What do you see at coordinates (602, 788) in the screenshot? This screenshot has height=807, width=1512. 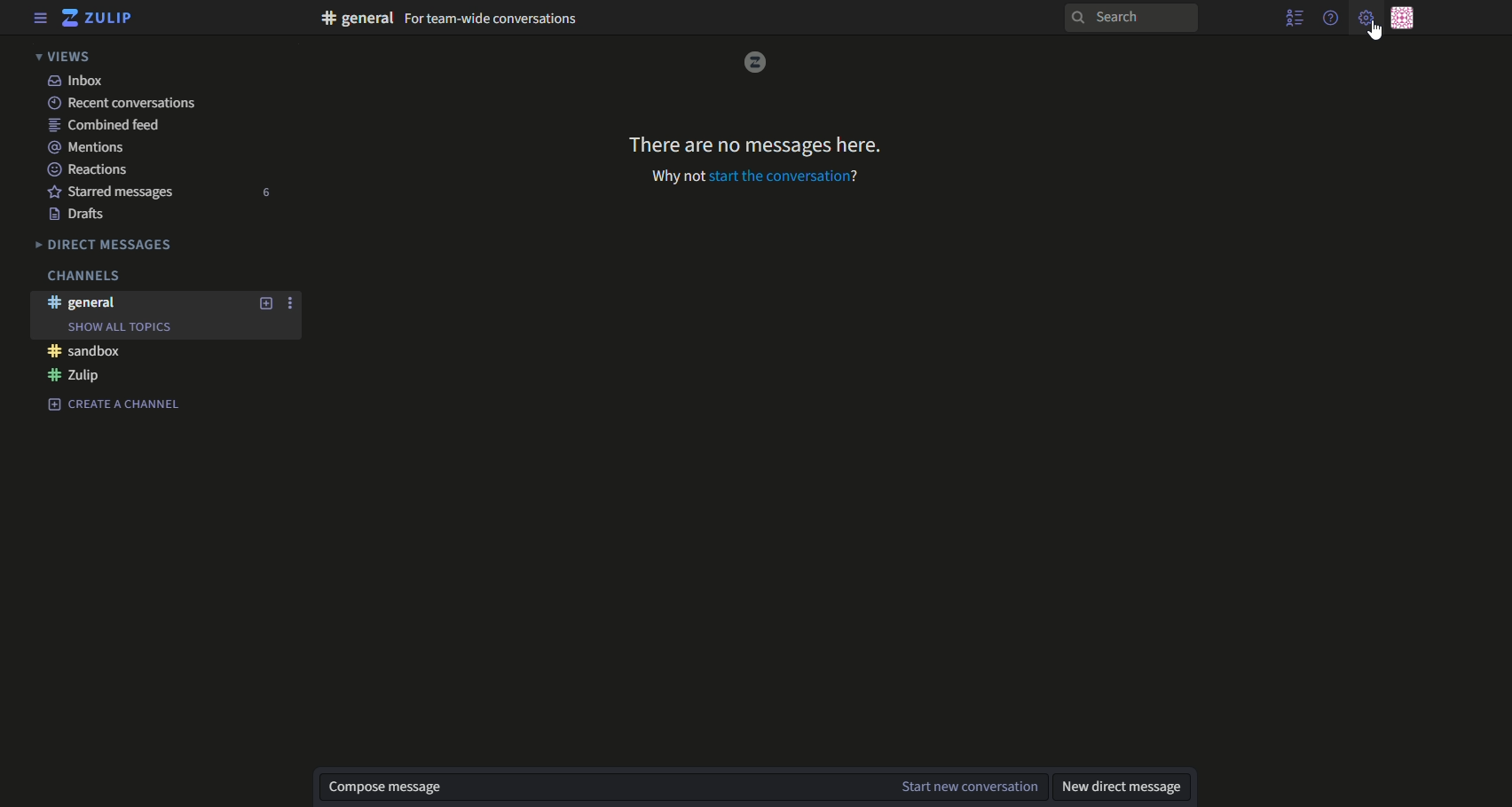 I see `compose message` at bounding box center [602, 788].